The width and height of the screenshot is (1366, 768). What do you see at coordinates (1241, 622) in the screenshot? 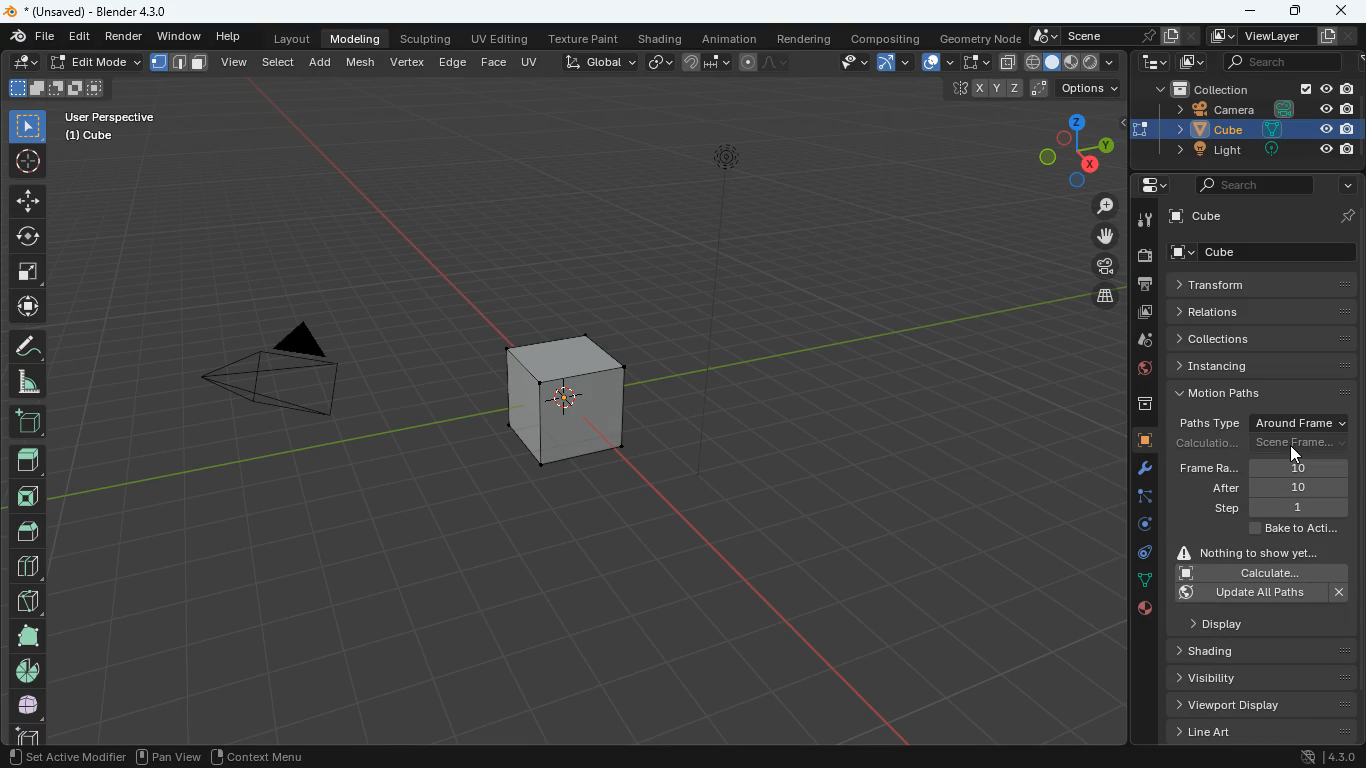
I see `Display` at bounding box center [1241, 622].